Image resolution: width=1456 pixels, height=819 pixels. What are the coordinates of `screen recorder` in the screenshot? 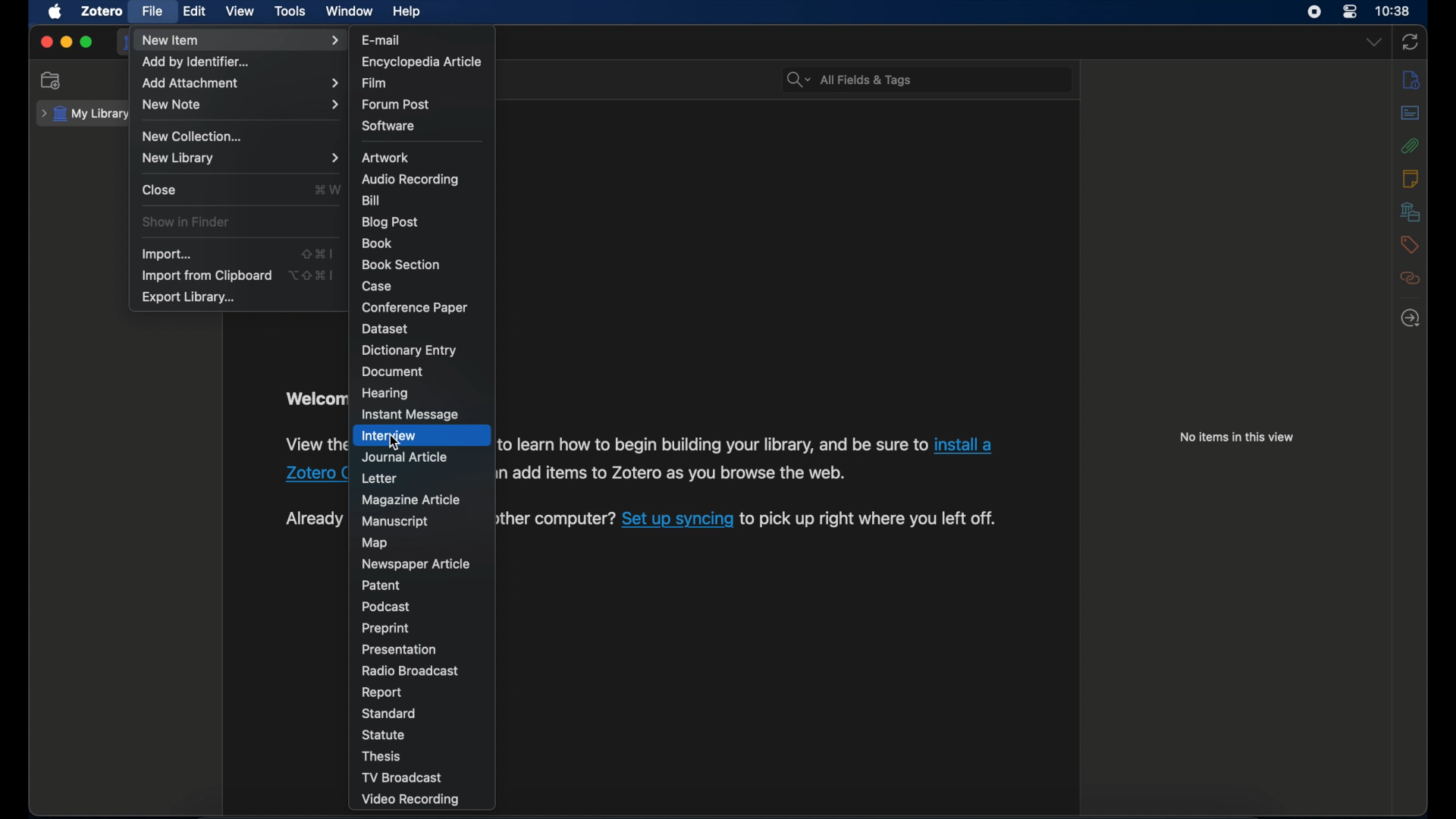 It's located at (1314, 11).